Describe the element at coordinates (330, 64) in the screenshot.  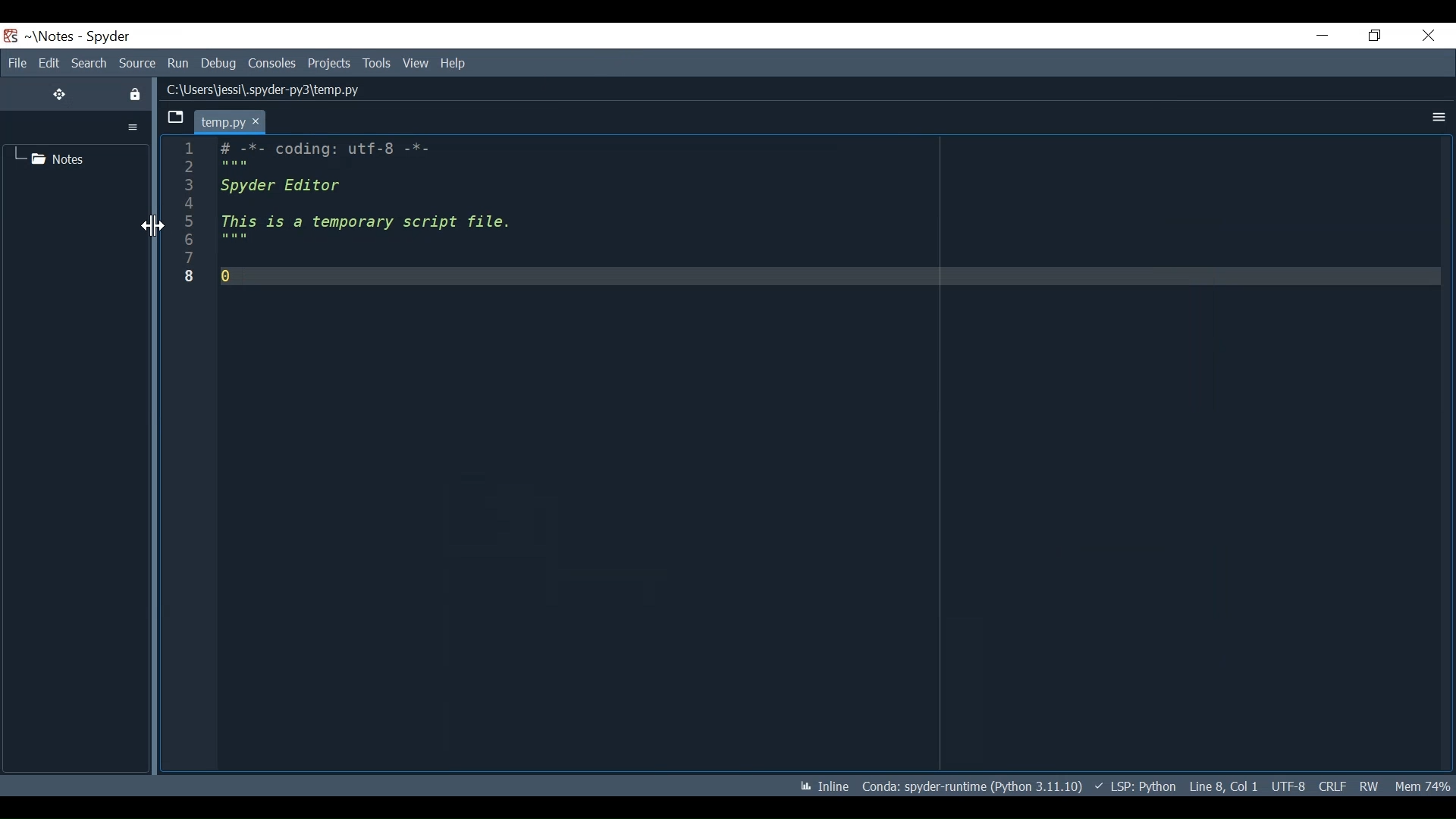
I see `Projects` at that location.